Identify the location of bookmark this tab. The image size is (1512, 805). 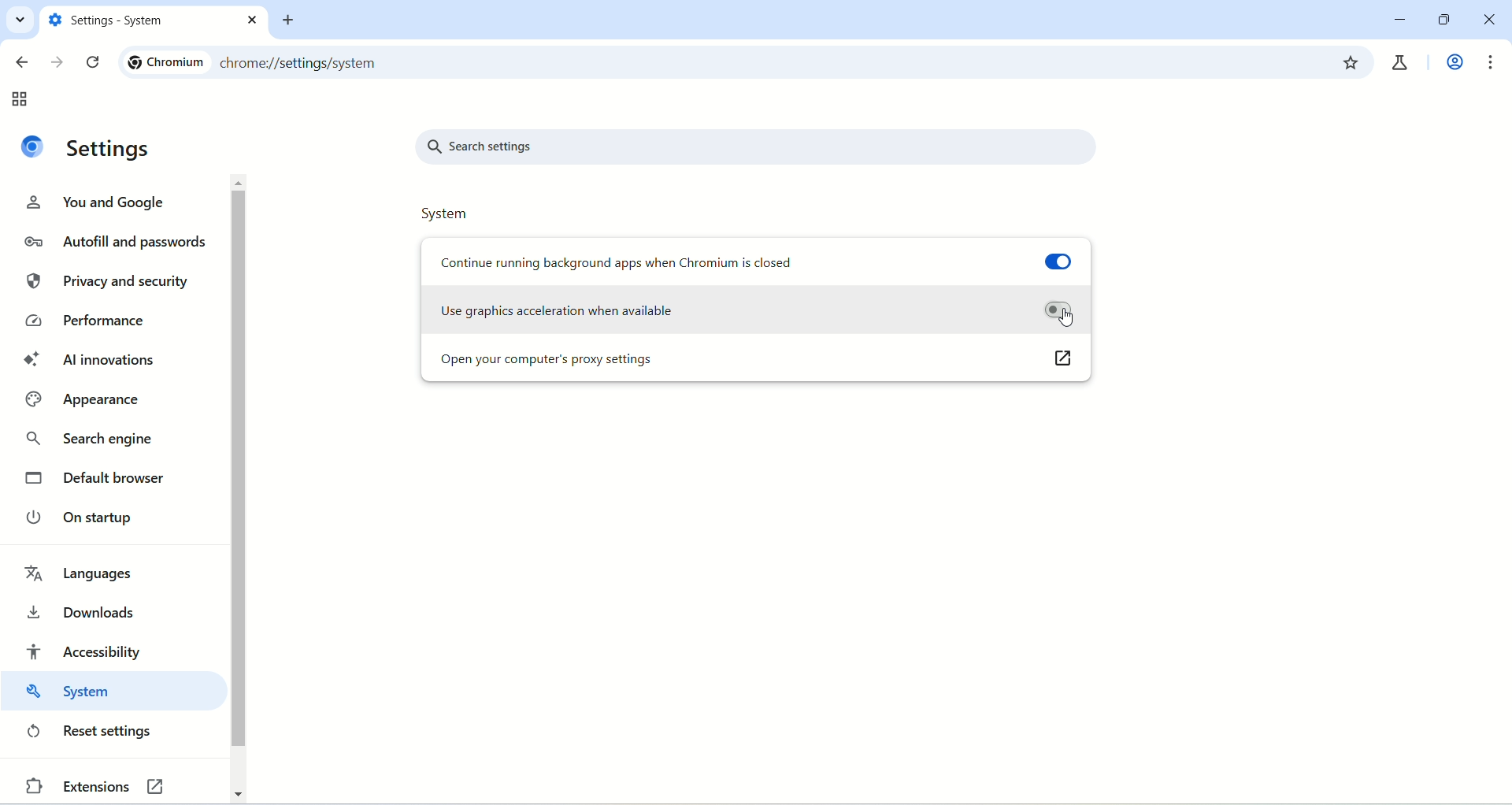
(1352, 61).